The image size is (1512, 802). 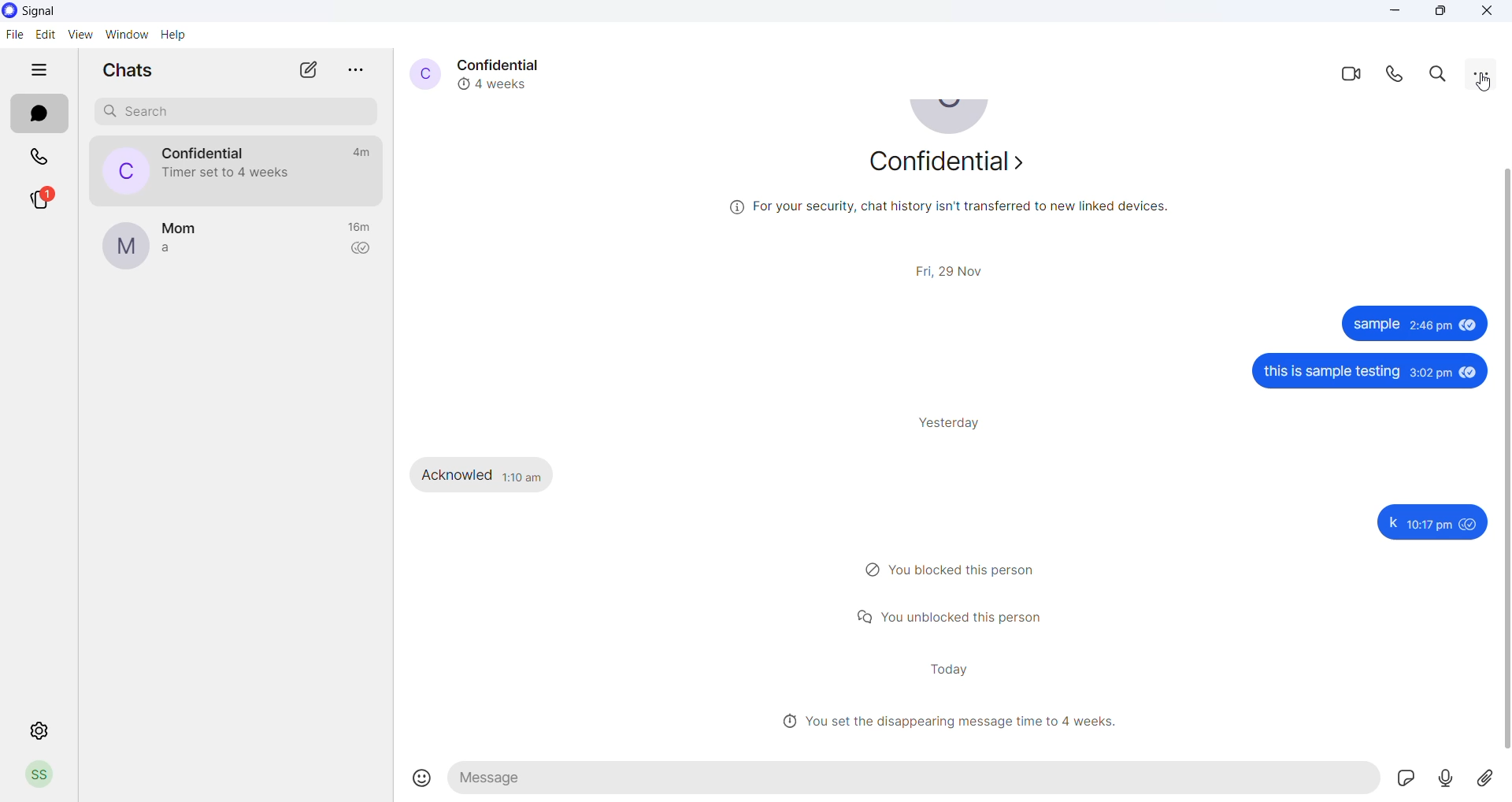 I want to click on more options, so click(x=1482, y=72).